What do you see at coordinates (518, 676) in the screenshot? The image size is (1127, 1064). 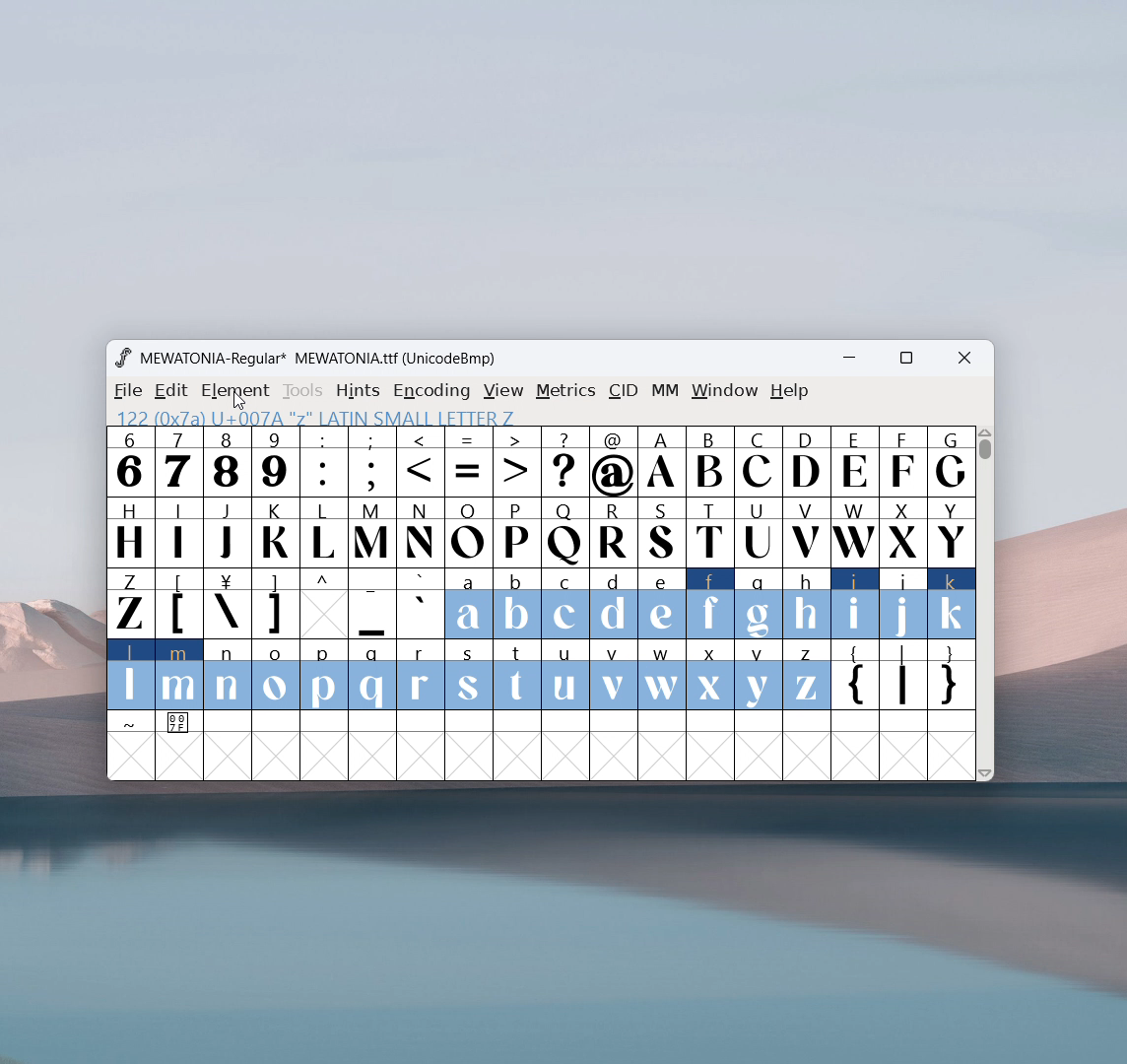 I see `t` at bounding box center [518, 676].